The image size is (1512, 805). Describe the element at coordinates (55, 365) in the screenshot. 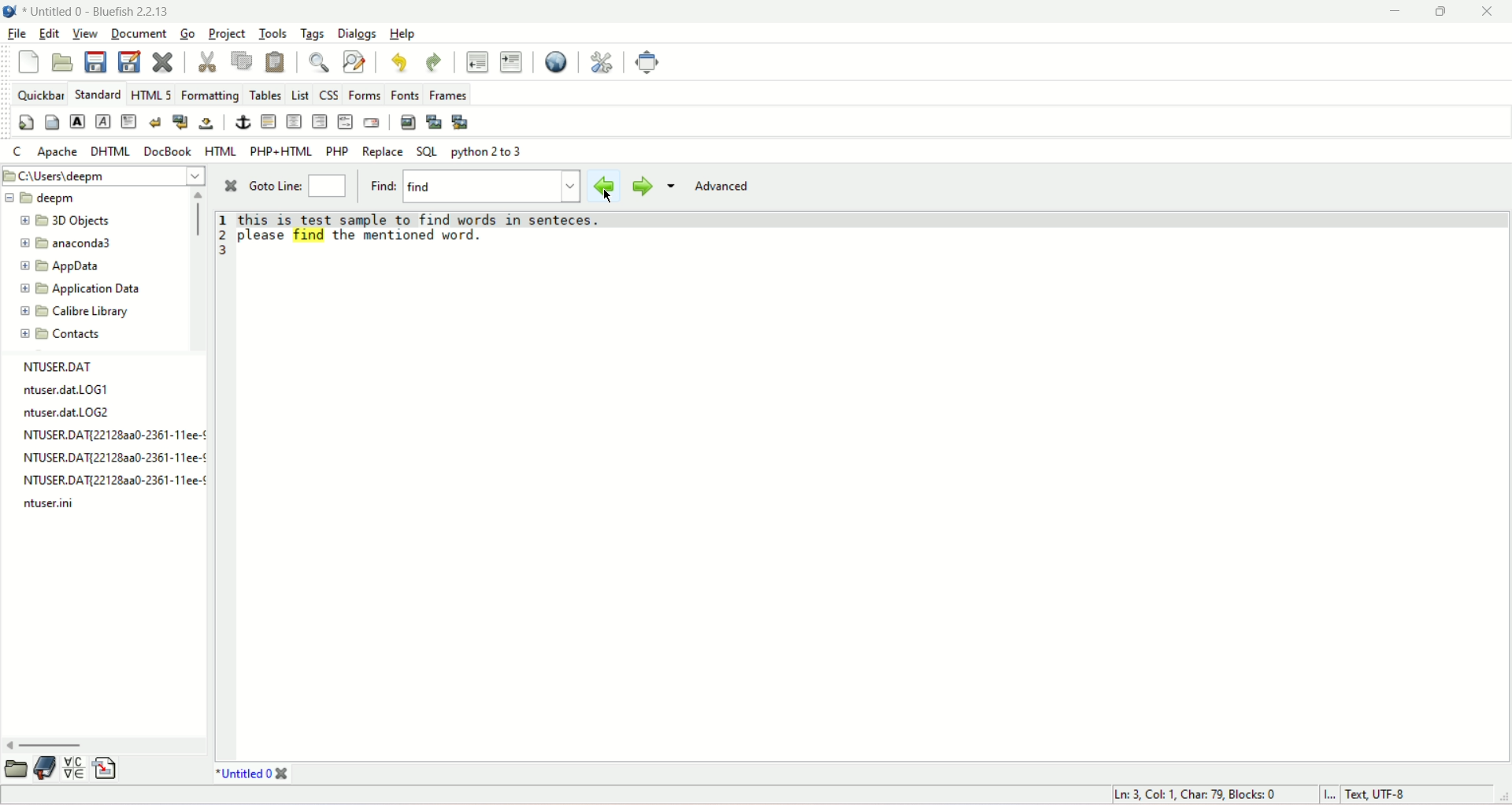

I see `NTUSER.DAT` at that location.